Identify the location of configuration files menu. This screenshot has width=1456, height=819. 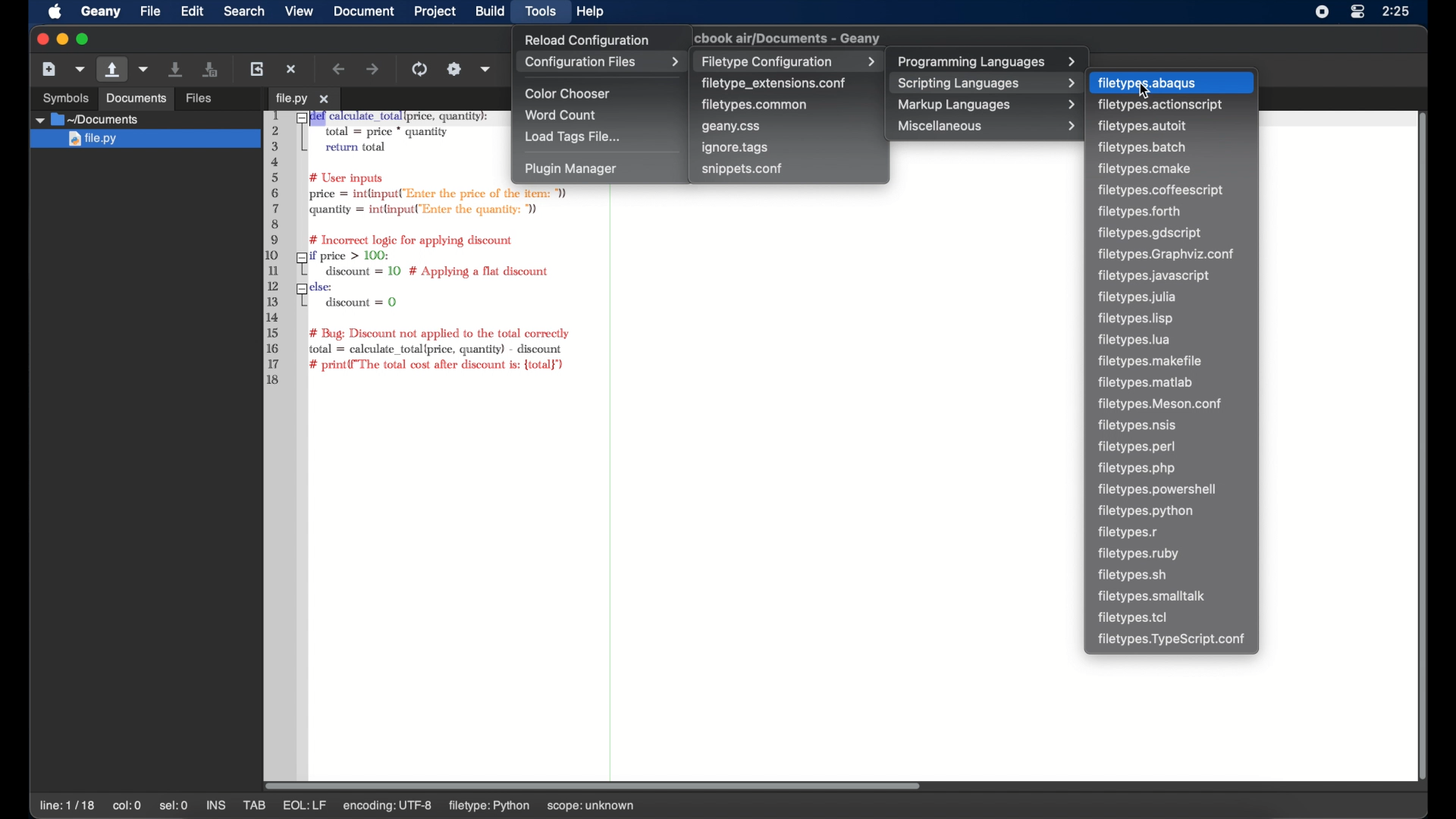
(601, 62).